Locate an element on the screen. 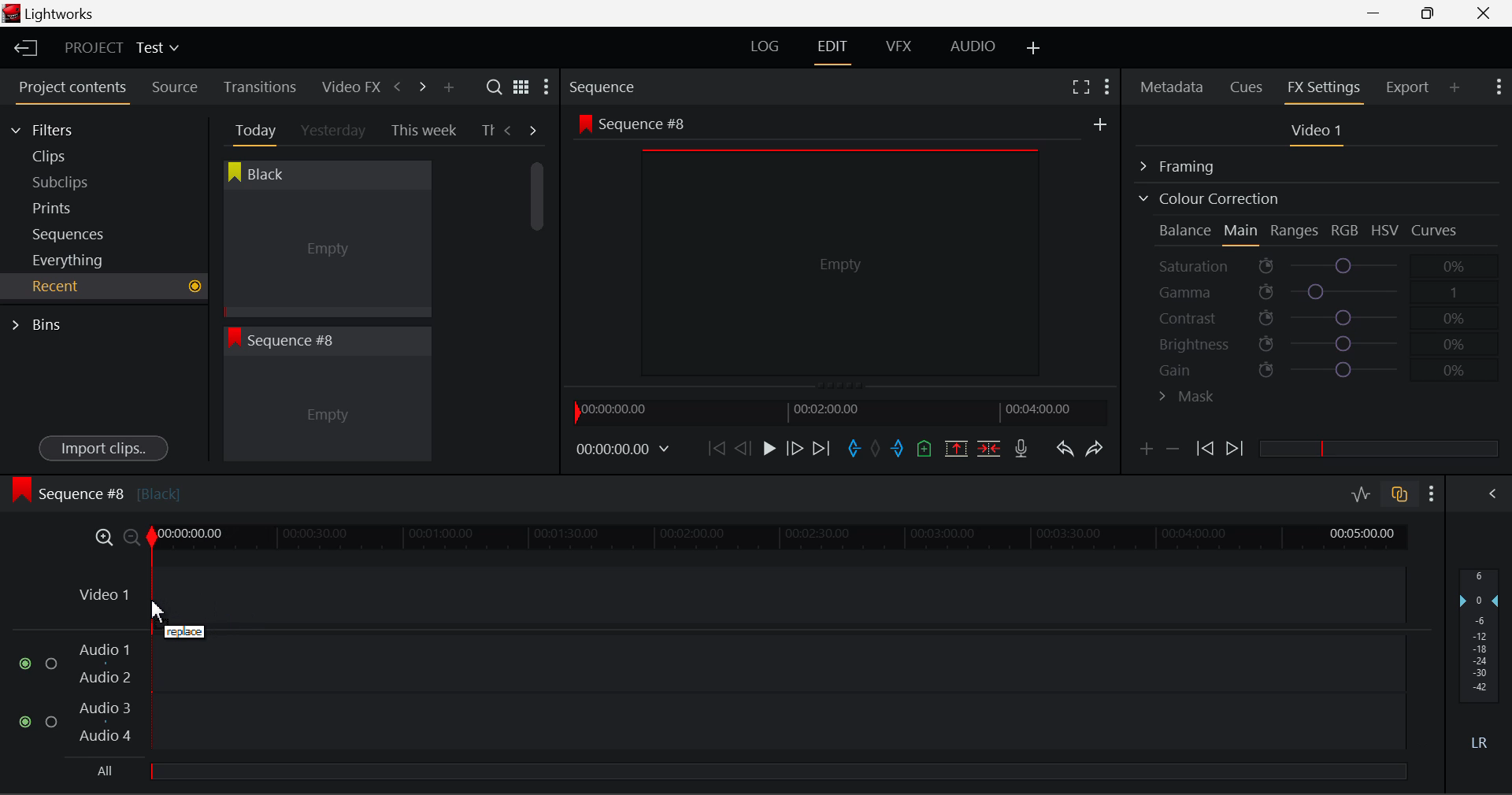 The image size is (1512, 795). Curves is located at coordinates (1436, 230).